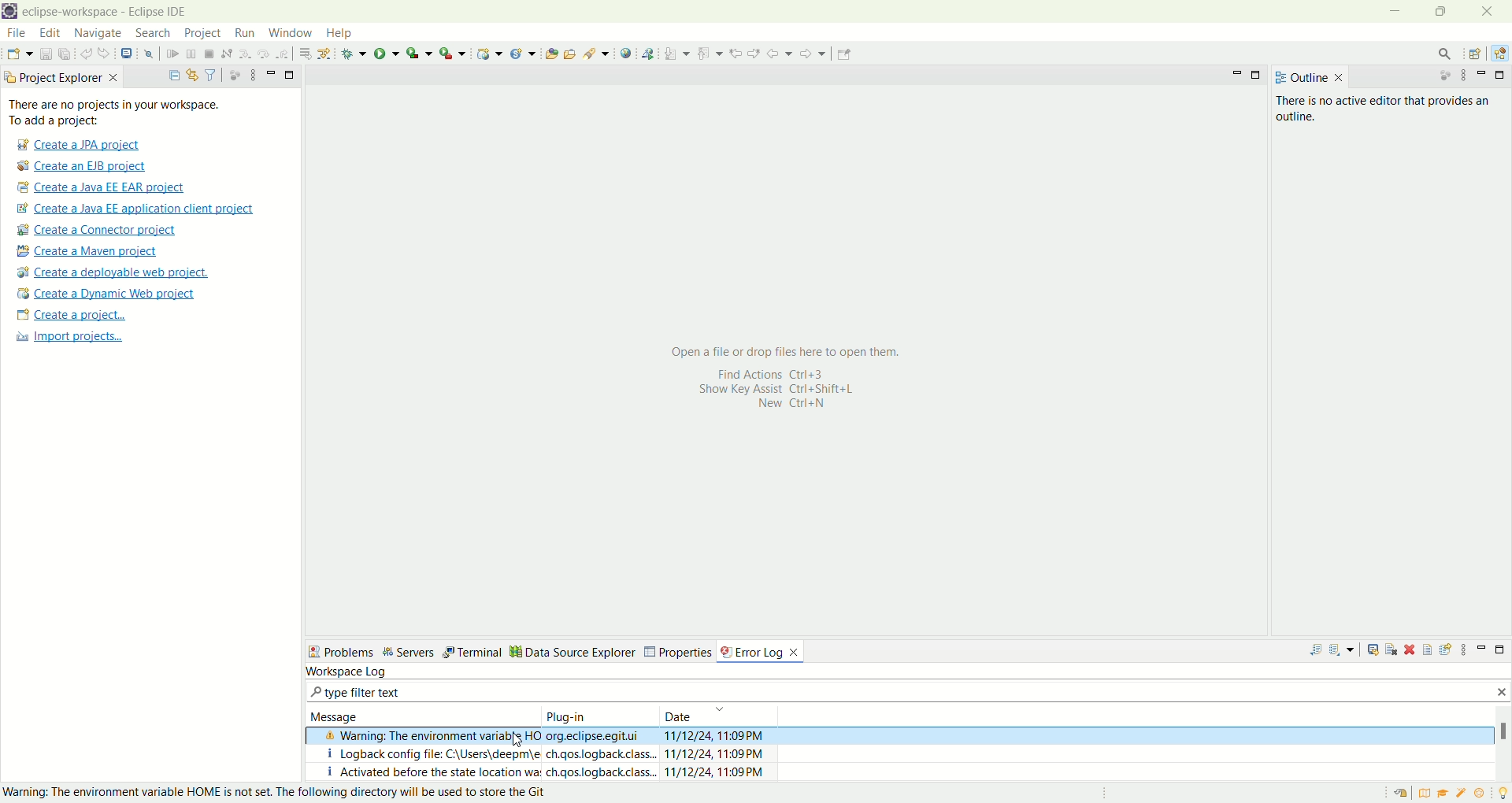 The height and width of the screenshot is (803, 1512). Describe the element at coordinates (1258, 75) in the screenshot. I see `maximize` at that location.